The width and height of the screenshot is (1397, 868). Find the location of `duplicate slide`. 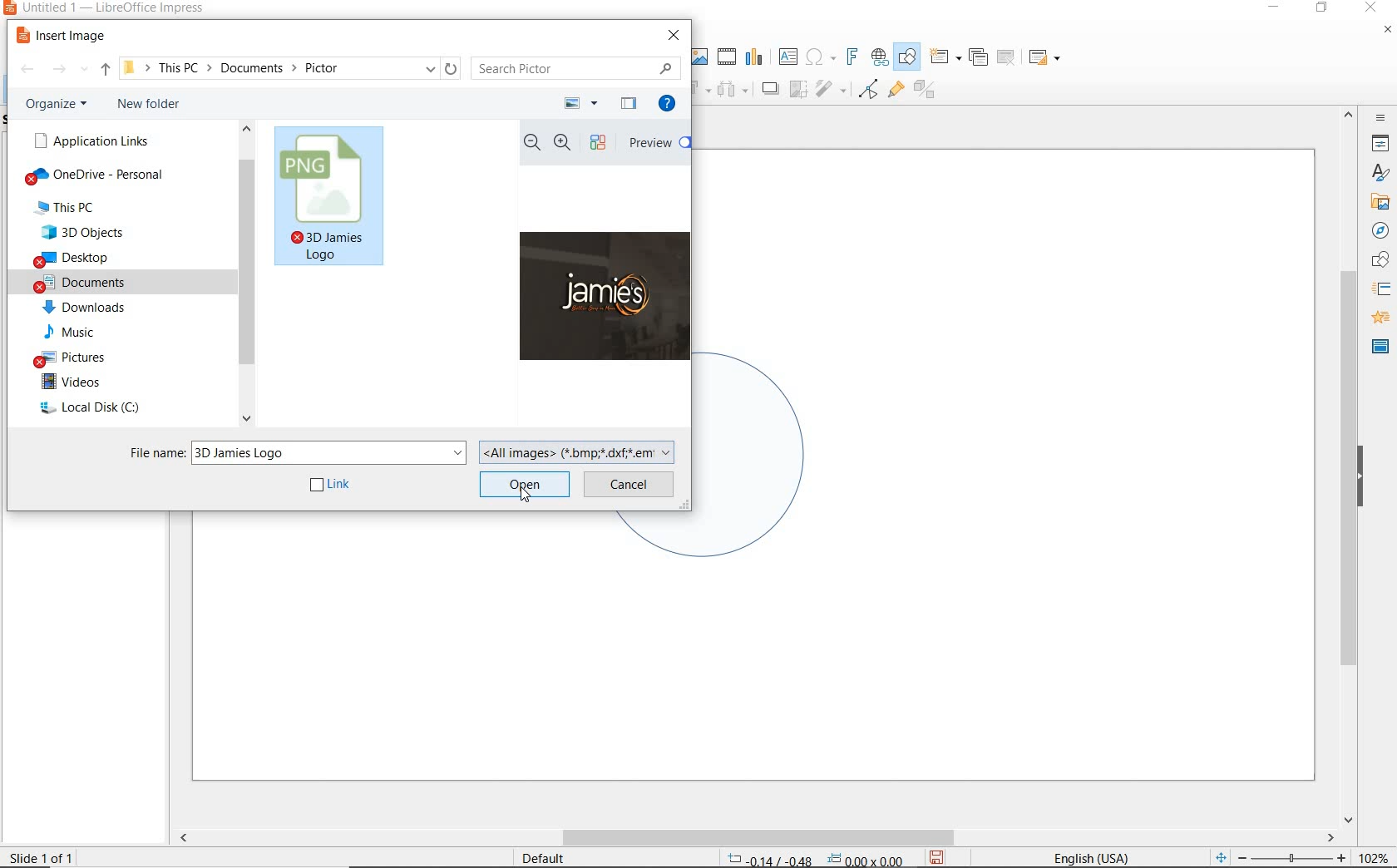

duplicate slide is located at coordinates (978, 57).